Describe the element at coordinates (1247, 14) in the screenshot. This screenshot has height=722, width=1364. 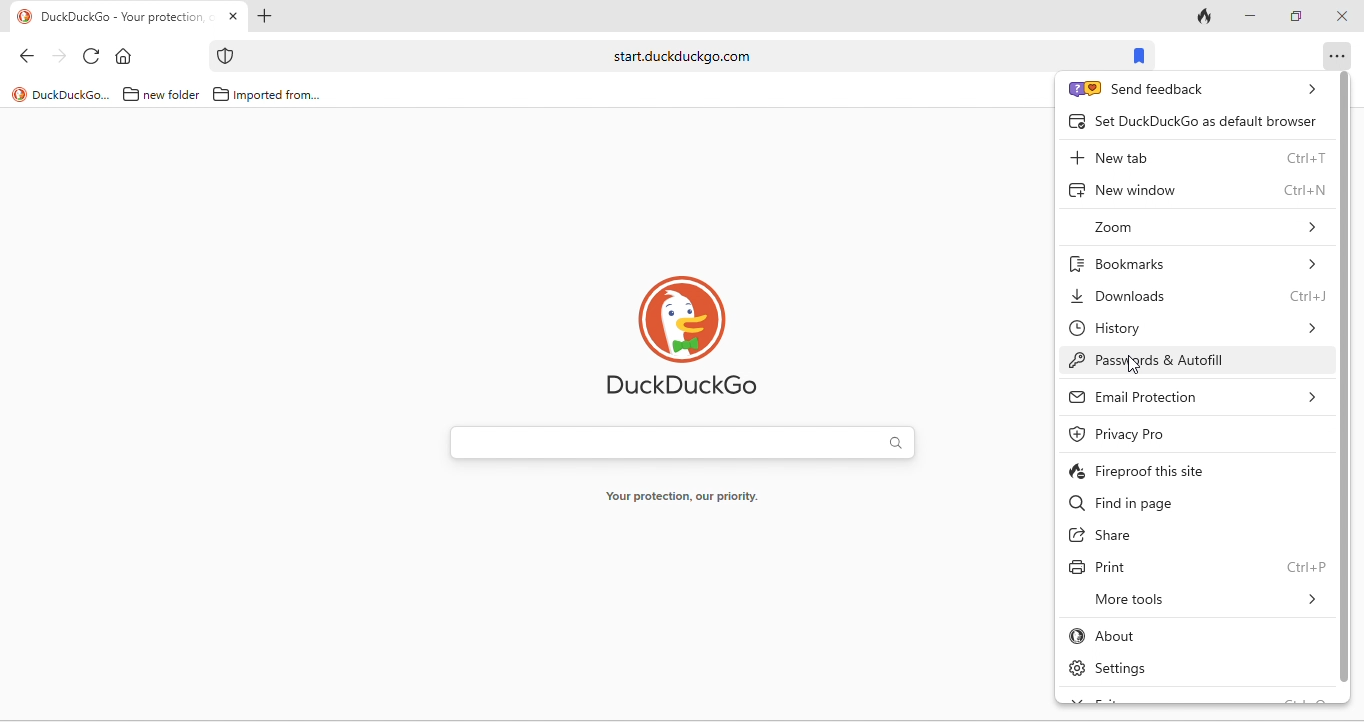
I see `minimize` at that location.